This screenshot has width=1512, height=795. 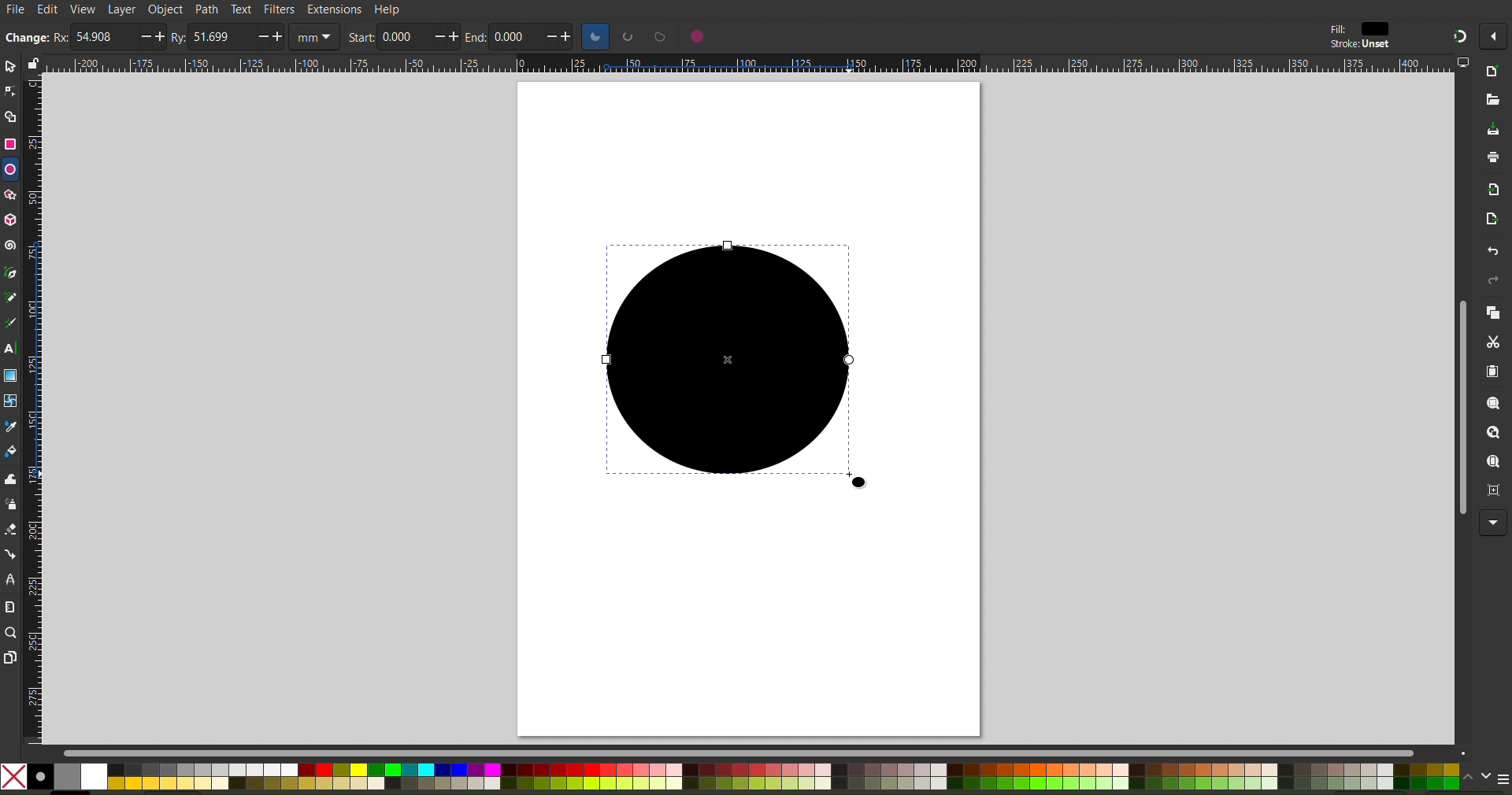 What do you see at coordinates (269, 36) in the screenshot?
I see `increase/decrease` at bounding box center [269, 36].